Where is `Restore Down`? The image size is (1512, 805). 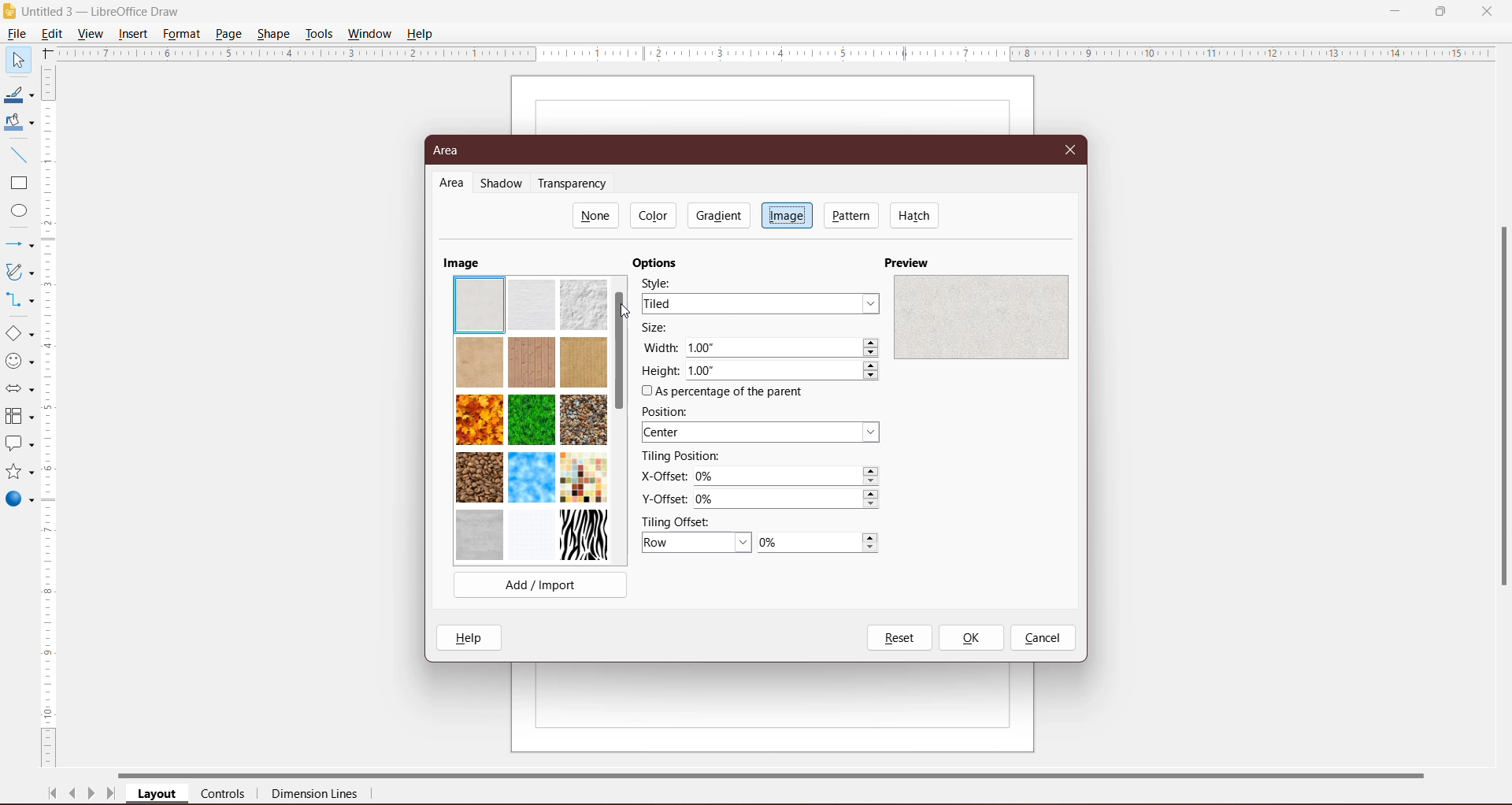 Restore Down is located at coordinates (1440, 10).